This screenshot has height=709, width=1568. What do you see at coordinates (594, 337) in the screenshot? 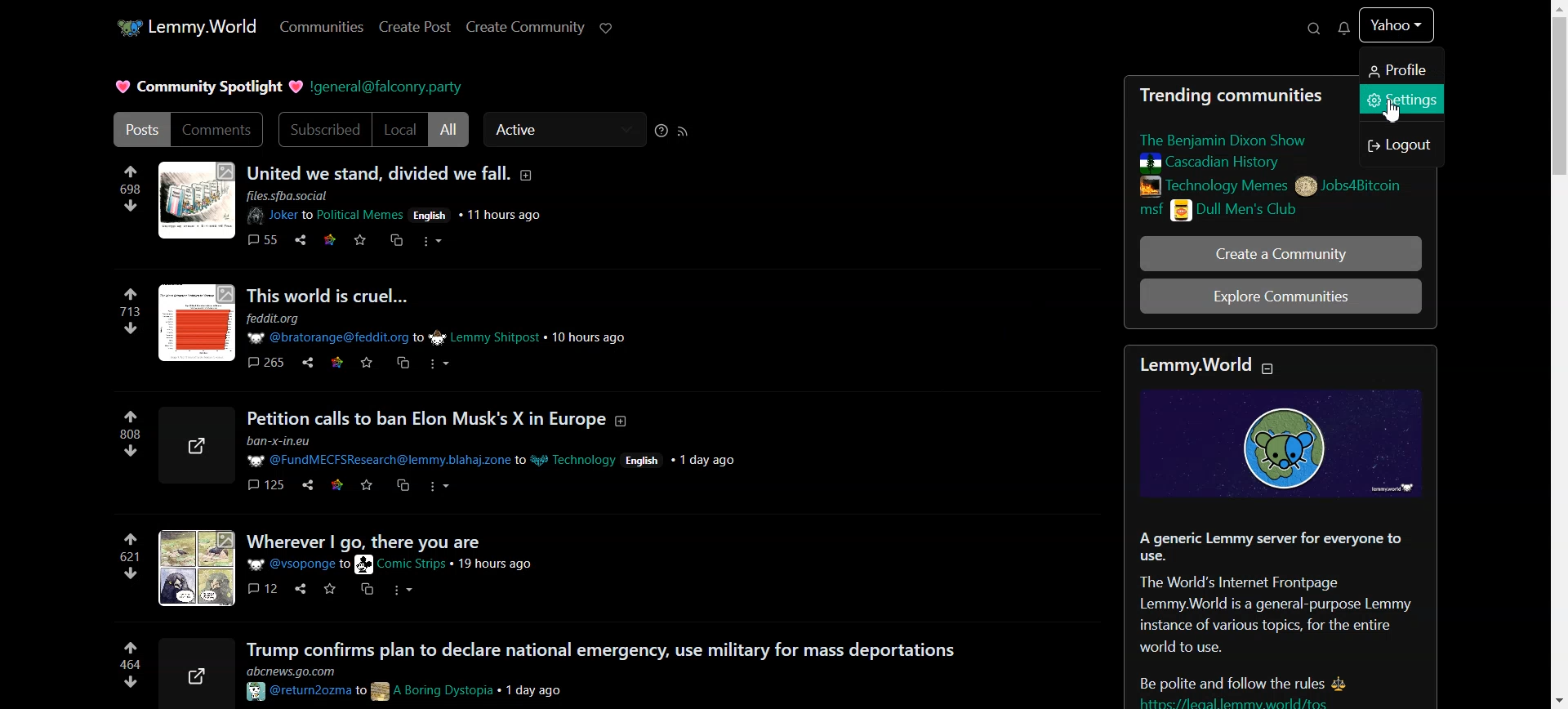
I see `10 hours ago` at bounding box center [594, 337].